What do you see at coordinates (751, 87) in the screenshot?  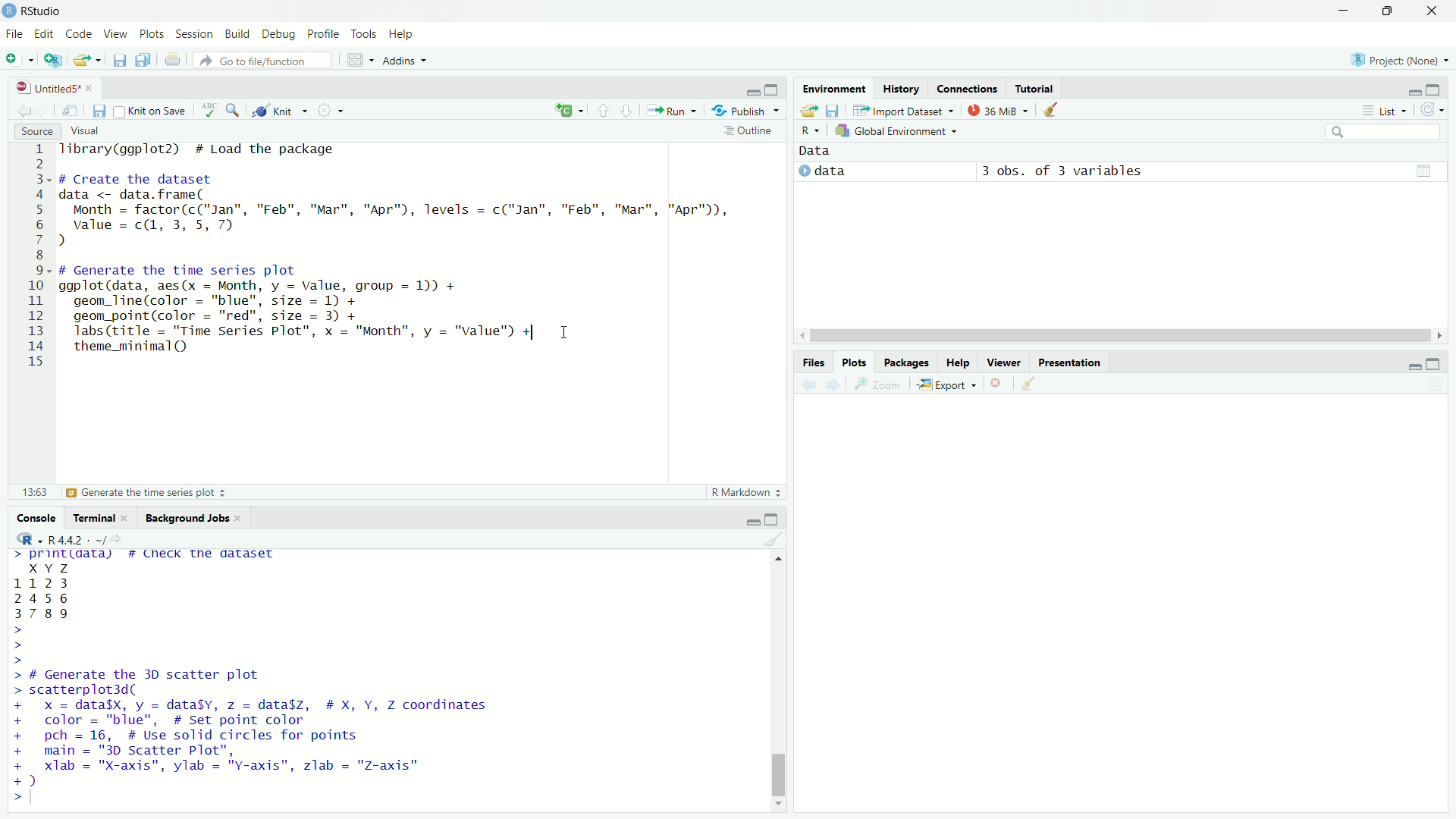 I see `minimize` at bounding box center [751, 87].